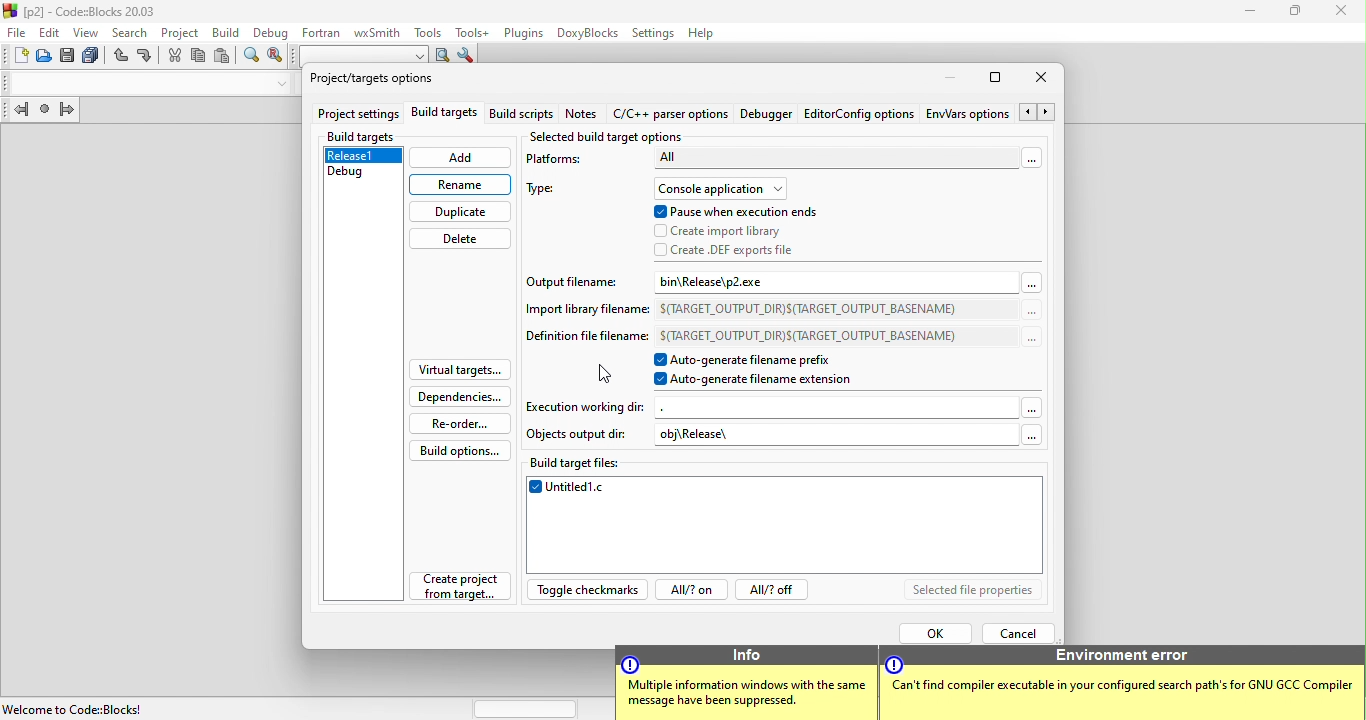  I want to click on cut, so click(175, 55).